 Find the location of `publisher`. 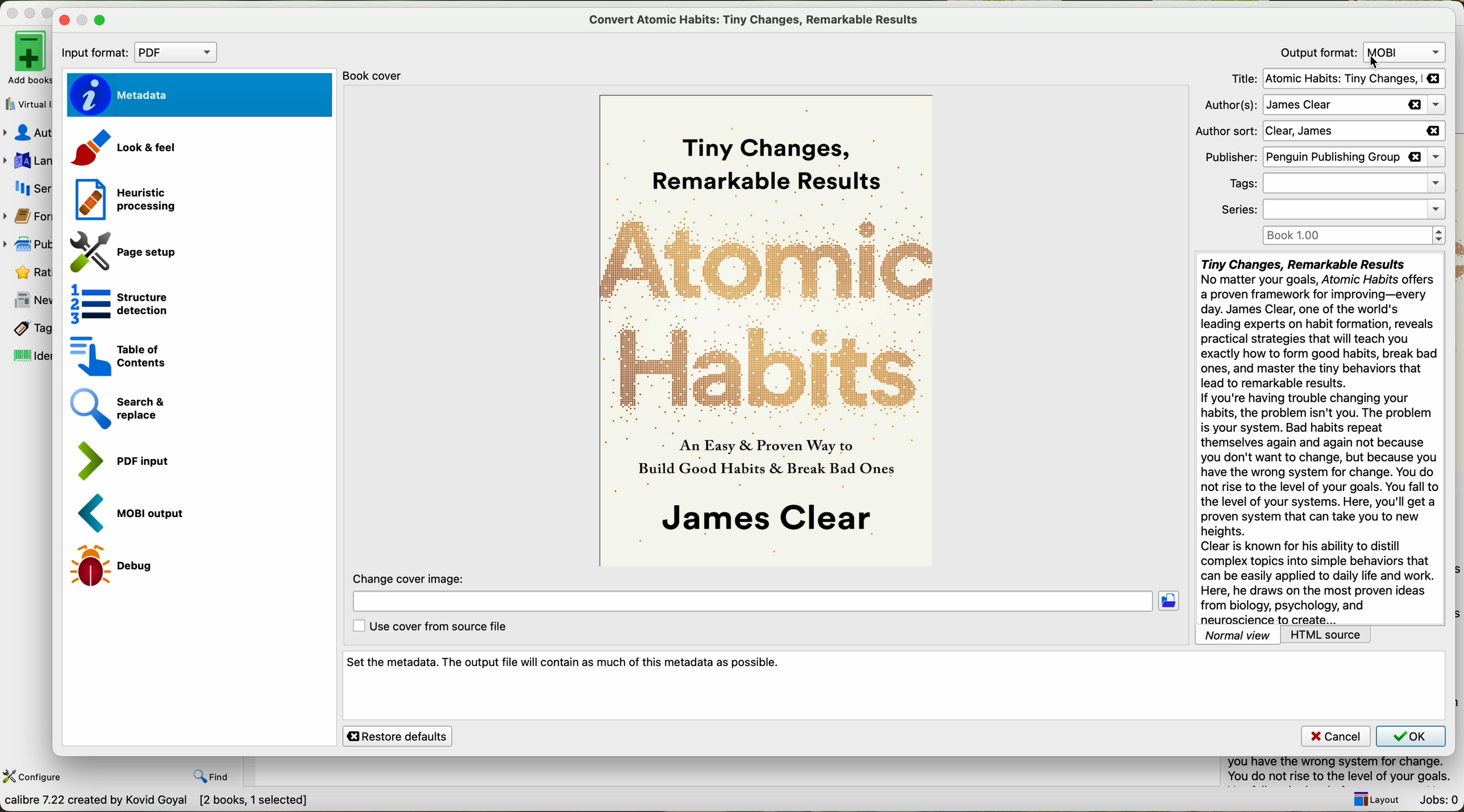

publisher is located at coordinates (1323, 158).